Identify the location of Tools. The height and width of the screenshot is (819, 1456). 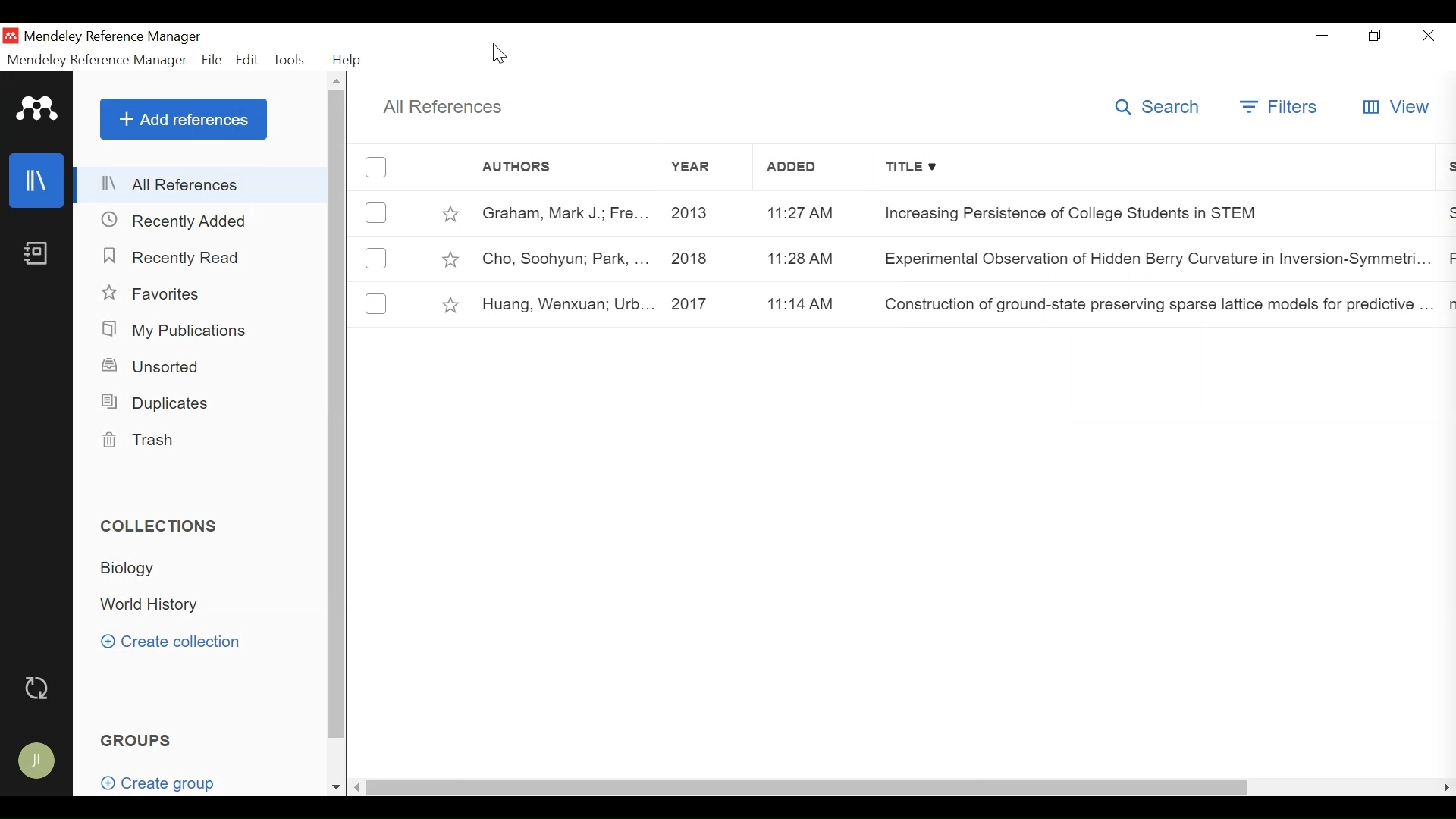
(289, 58).